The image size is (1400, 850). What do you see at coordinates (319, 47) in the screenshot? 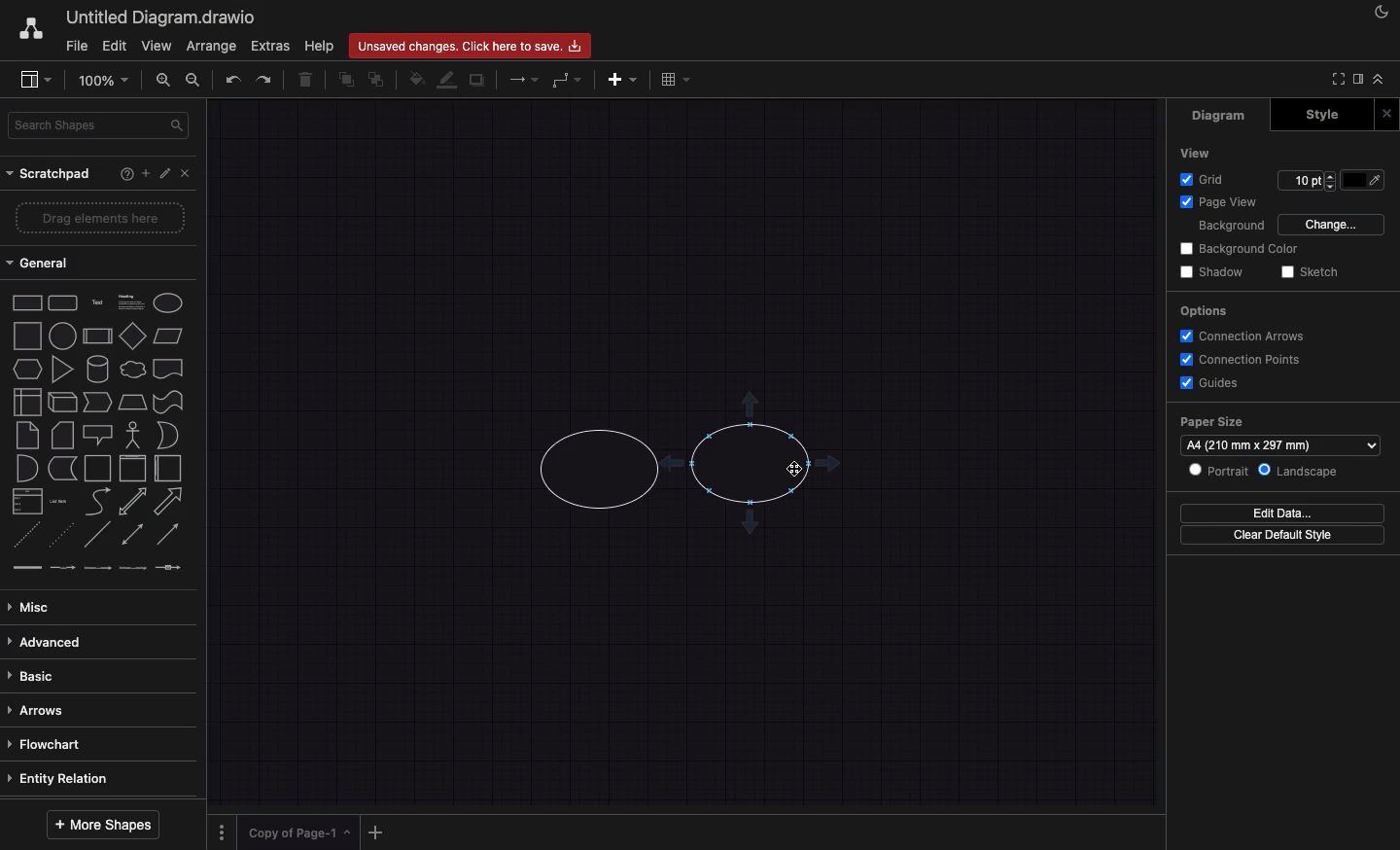
I see `help` at bounding box center [319, 47].